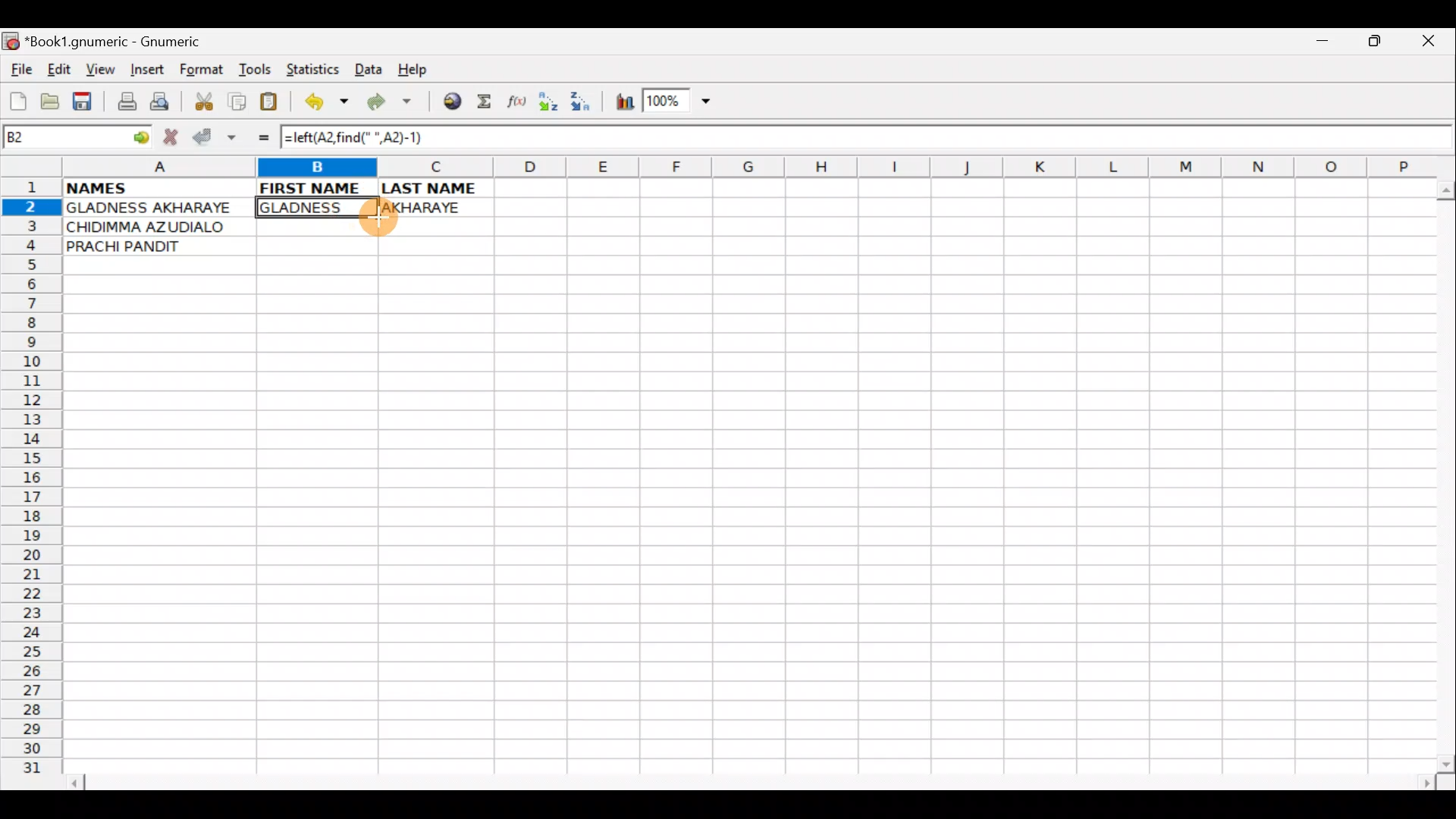 The width and height of the screenshot is (1456, 819). I want to click on Print file, so click(123, 103).